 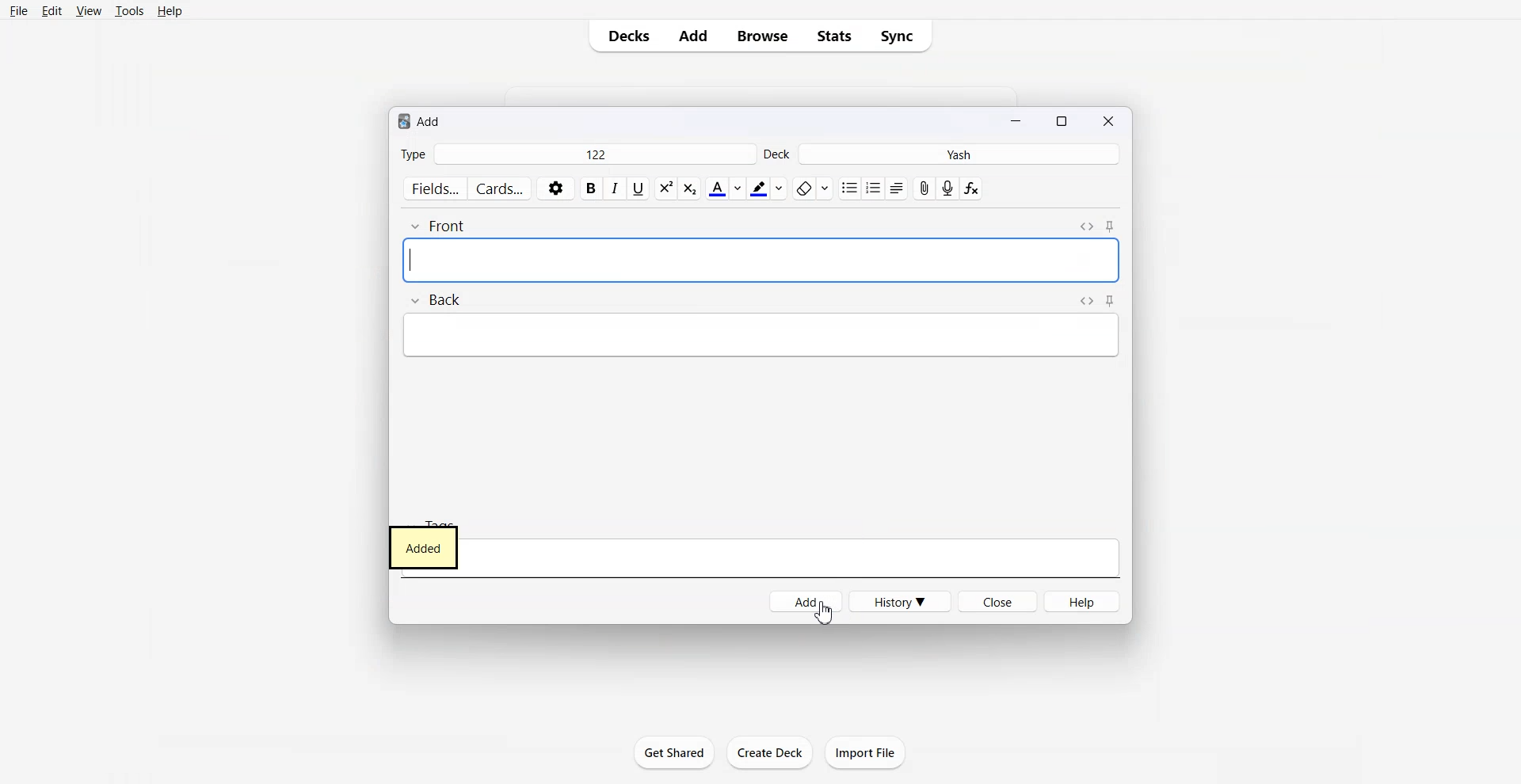 What do you see at coordinates (875, 188) in the screenshot?
I see `ordered list` at bounding box center [875, 188].